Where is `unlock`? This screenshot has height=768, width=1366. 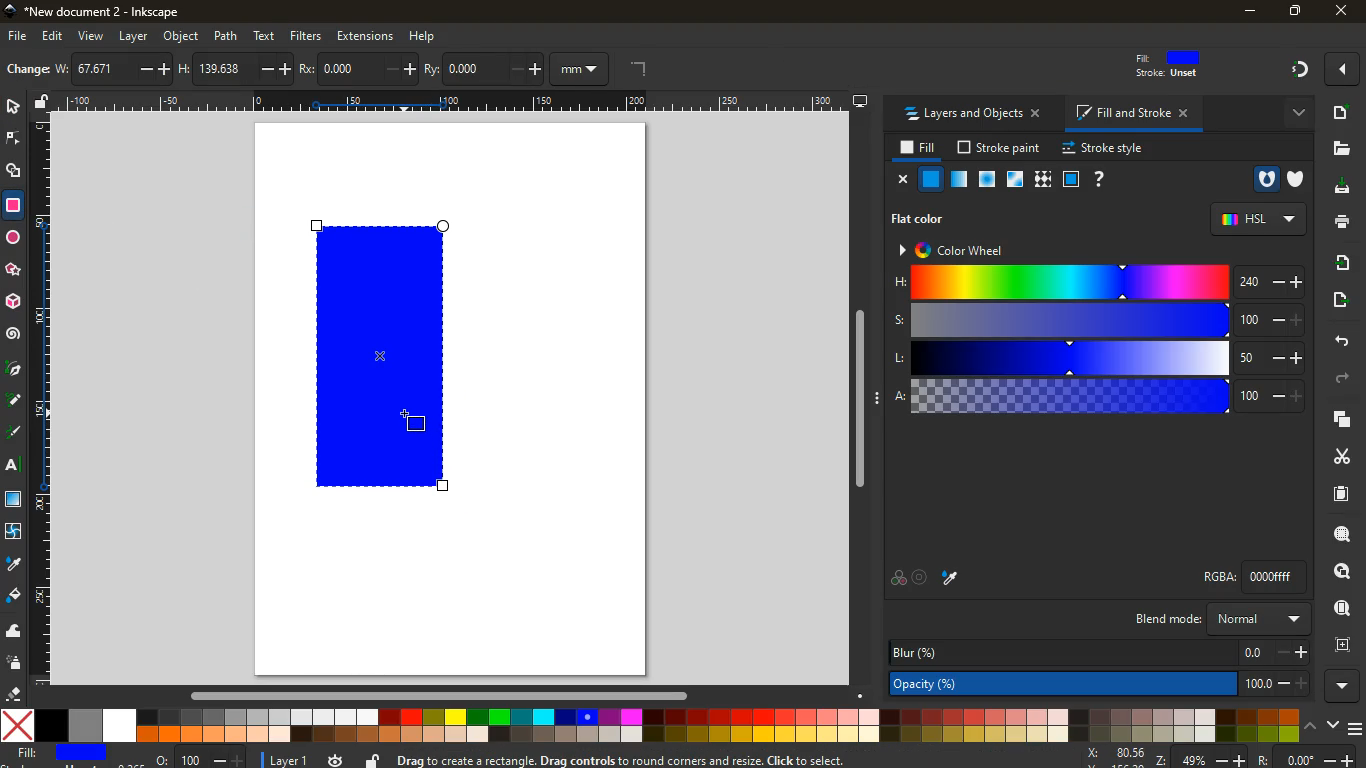
unlock is located at coordinates (374, 760).